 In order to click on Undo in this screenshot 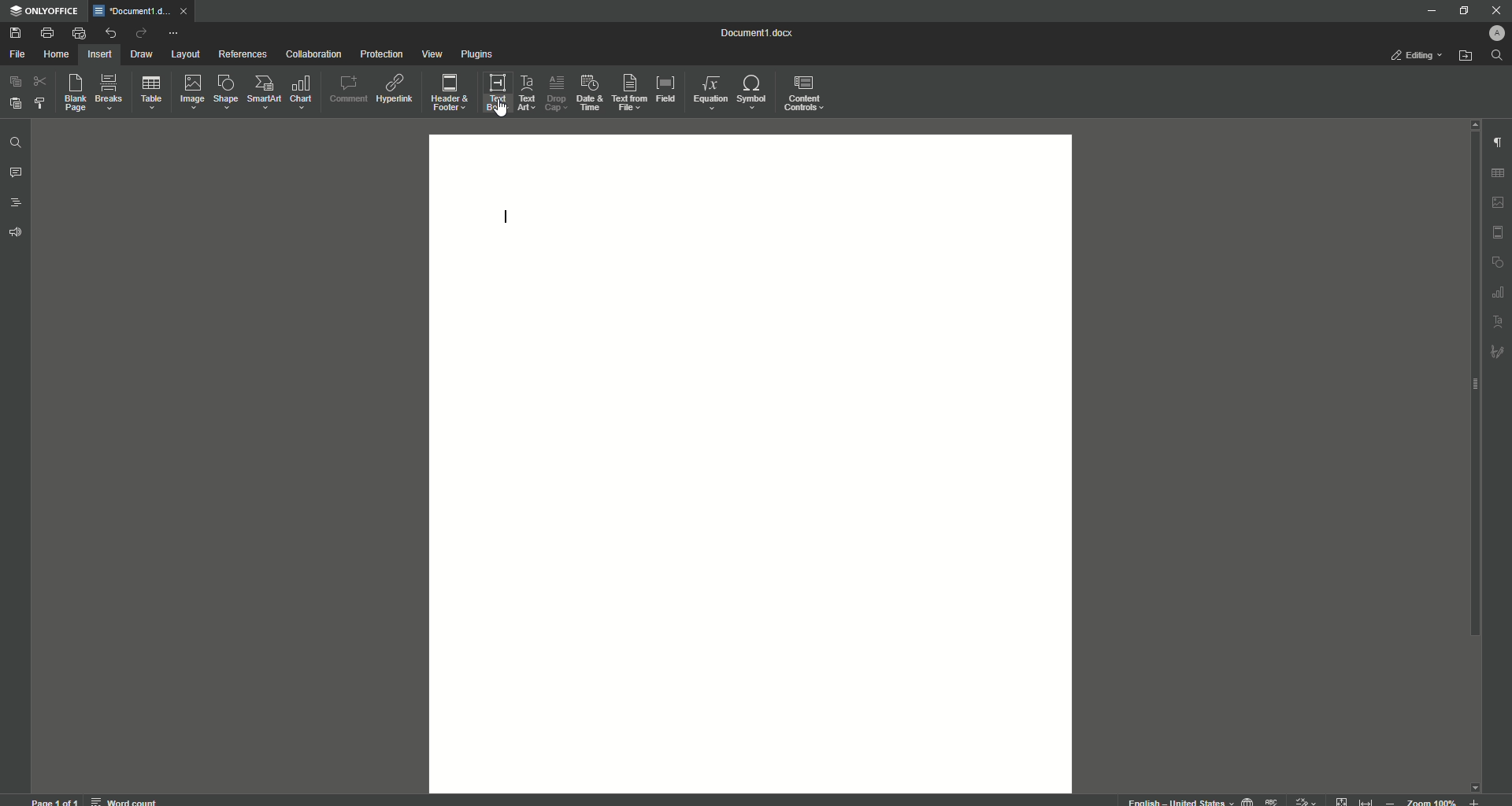, I will do `click(109, 33)`.